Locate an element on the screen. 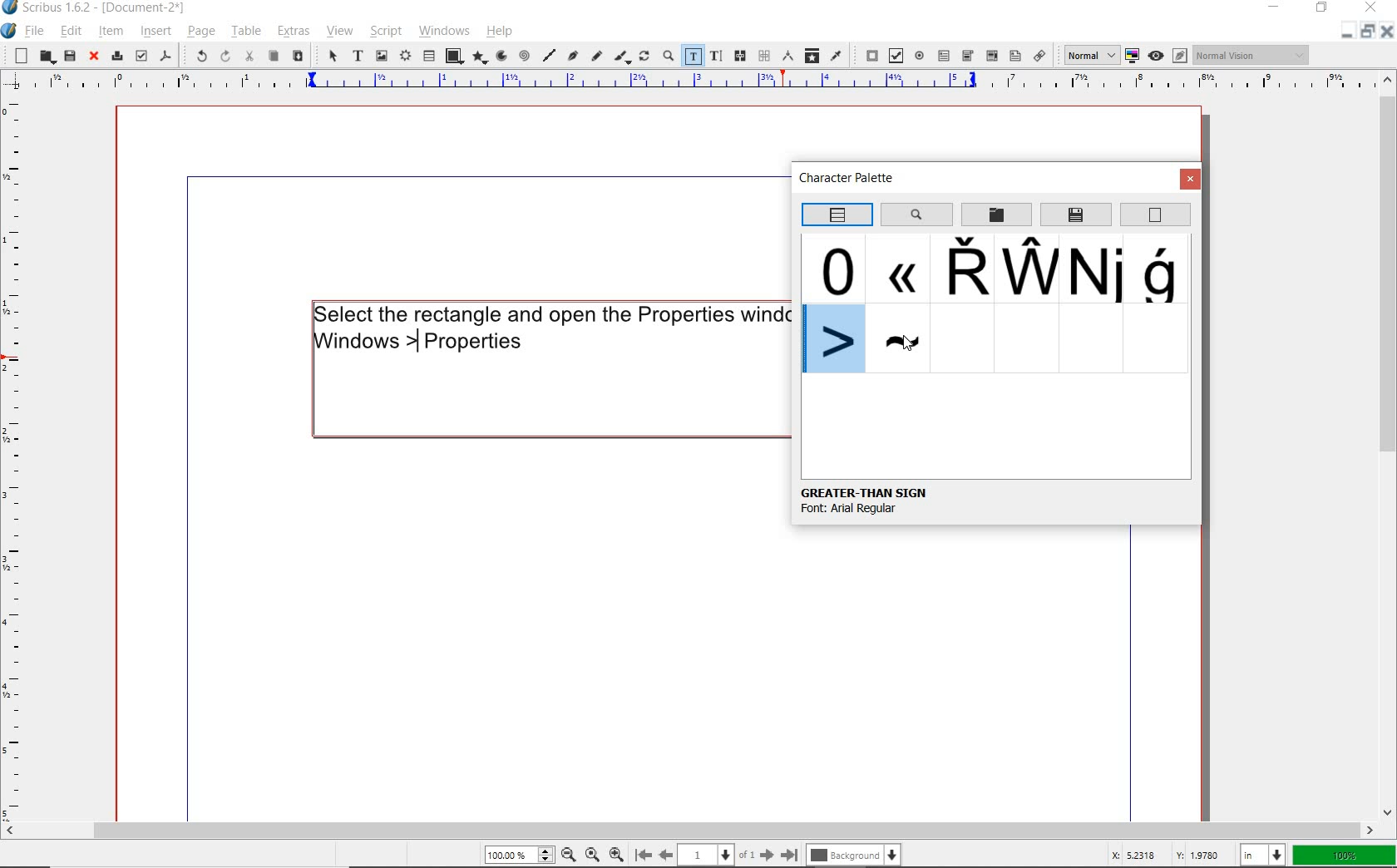   Font: Arial Regular is located at coordinates (871, 513).